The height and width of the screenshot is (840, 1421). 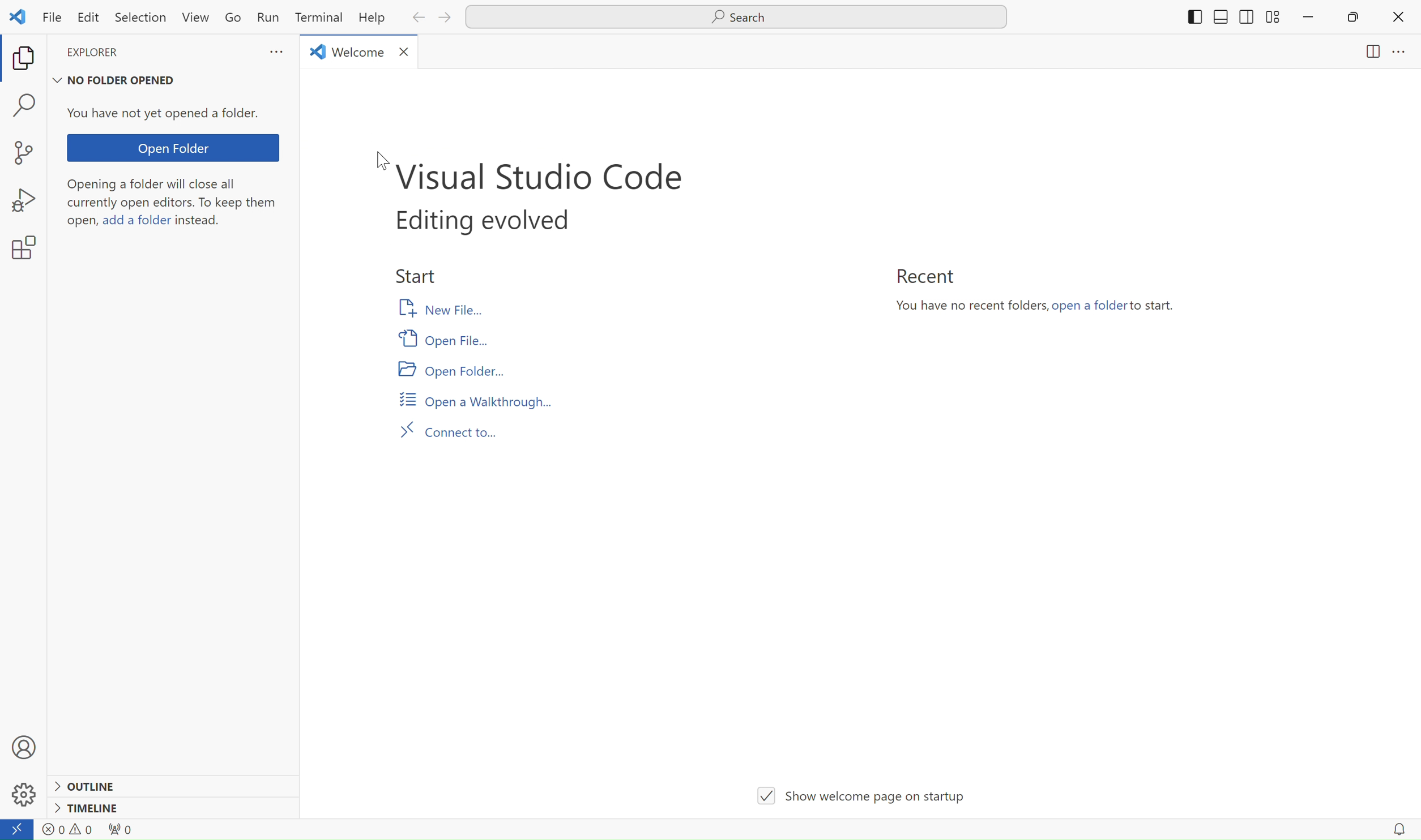 What do you see at coordinates (89, 18) in the screenshot?
I see `Edit` at bounding box center [89, 18].